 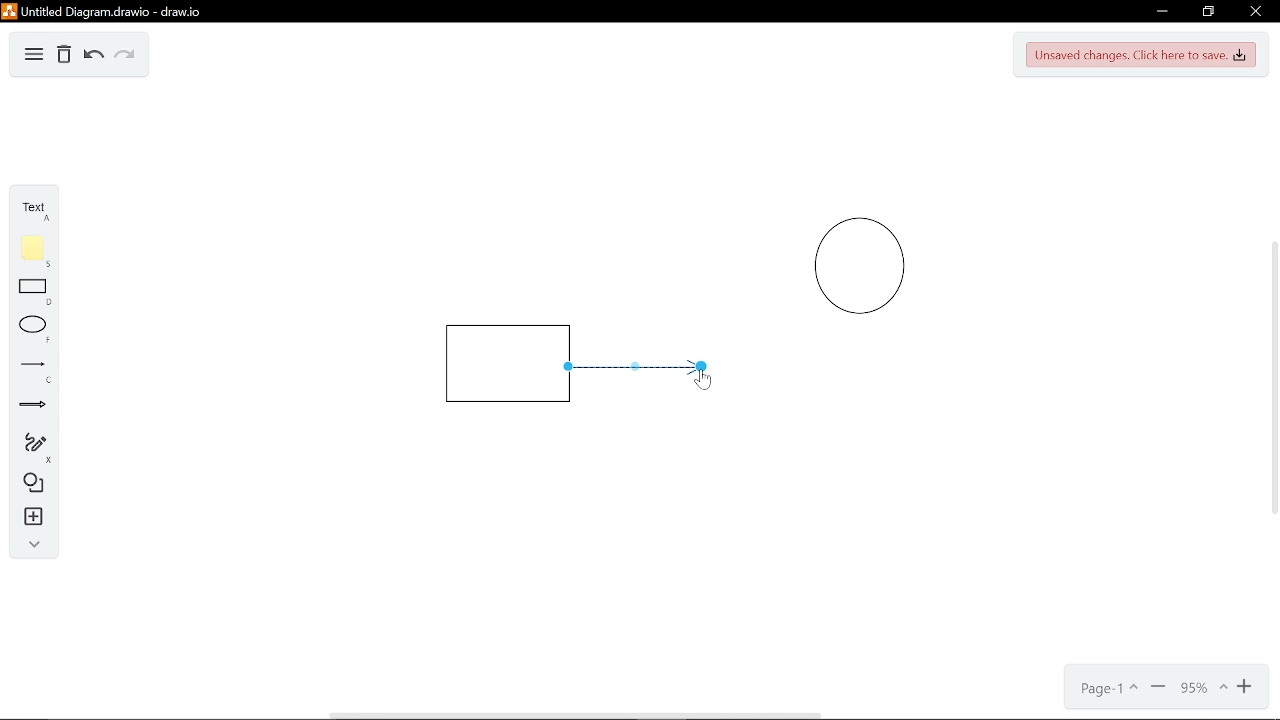 I want to click on Restore down, so click(x=1210, y=12).